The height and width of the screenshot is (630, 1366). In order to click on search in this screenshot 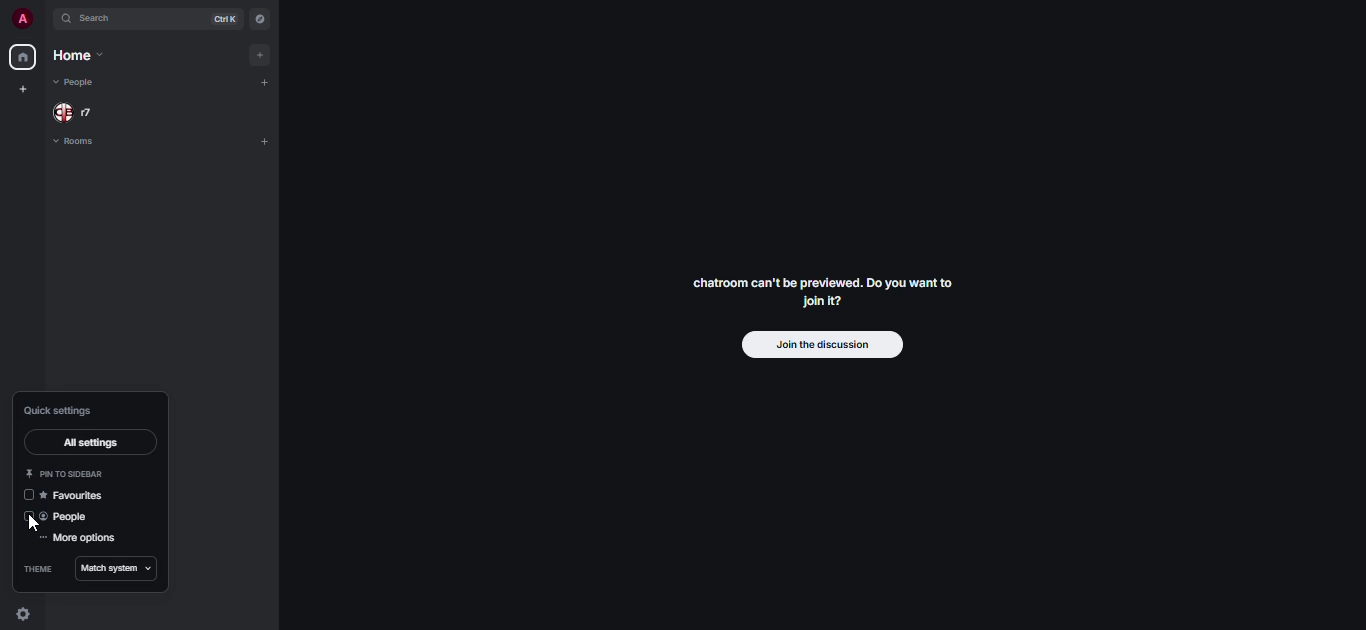, I will do `click(100, 21)`.